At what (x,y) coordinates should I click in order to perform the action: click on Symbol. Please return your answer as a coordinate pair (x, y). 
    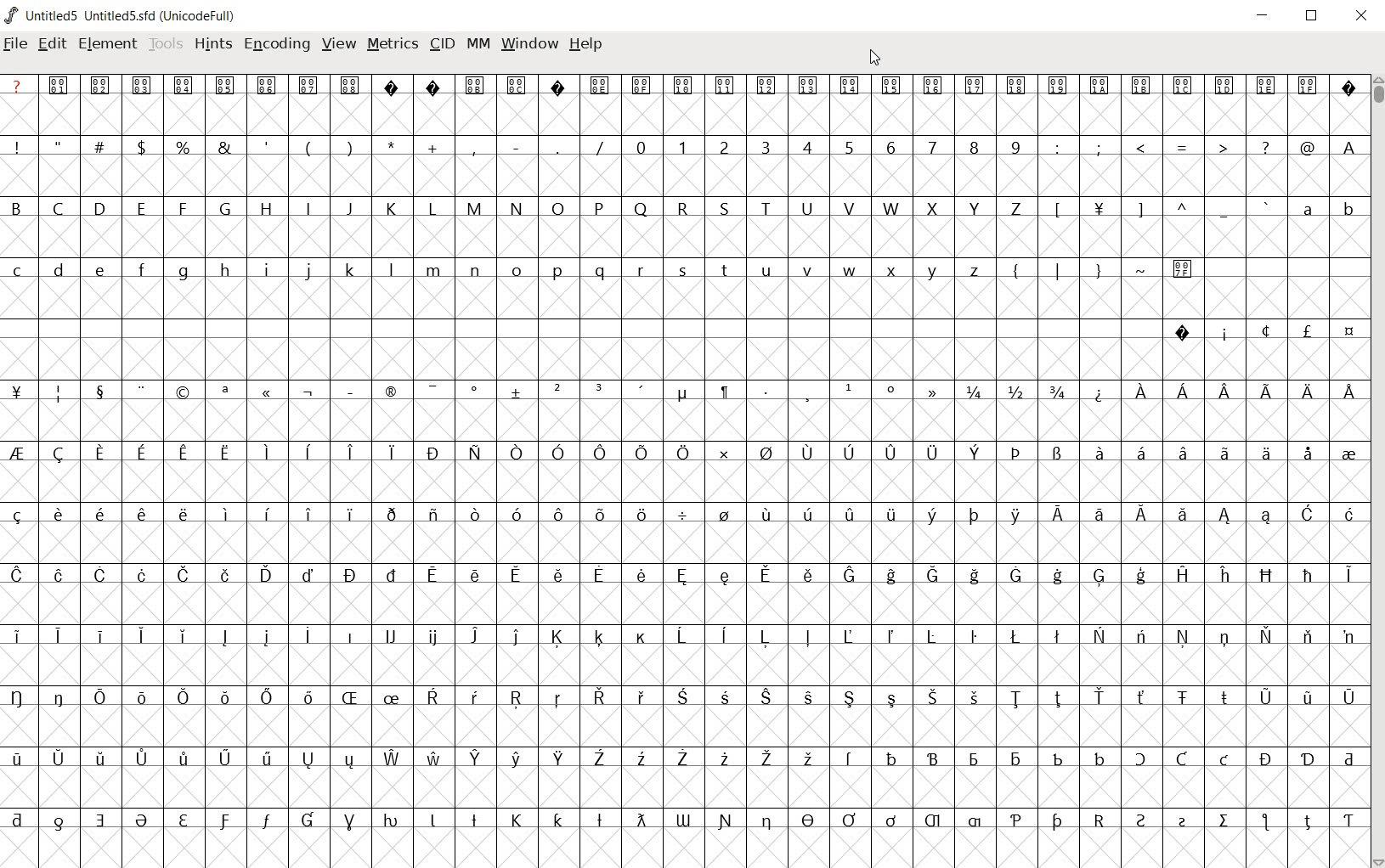
    Looking at the image, I should click on (1017, 85).